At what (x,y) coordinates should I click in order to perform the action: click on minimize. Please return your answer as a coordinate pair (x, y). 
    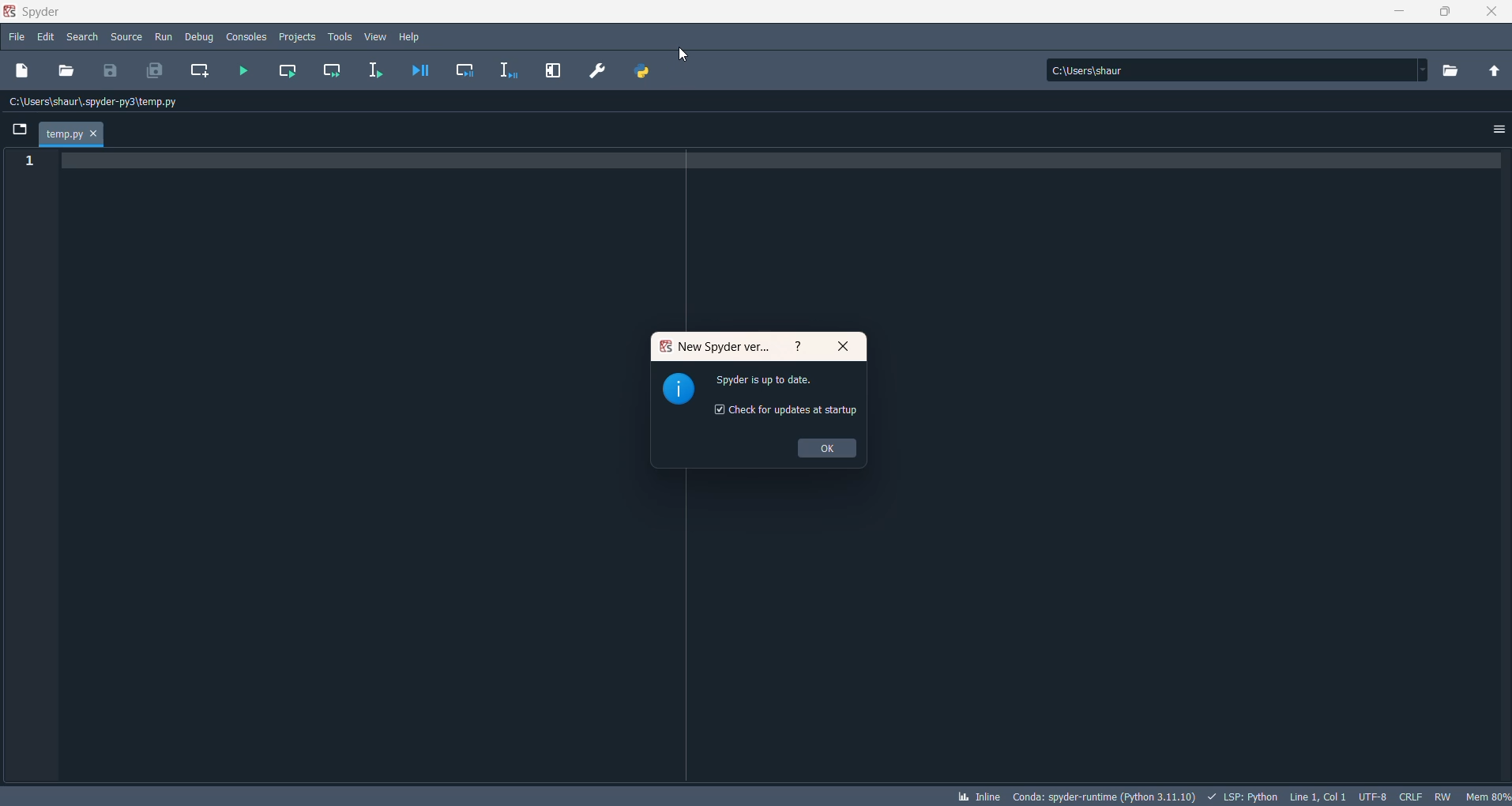
    Looking at the image, I should click on (1394, 13).